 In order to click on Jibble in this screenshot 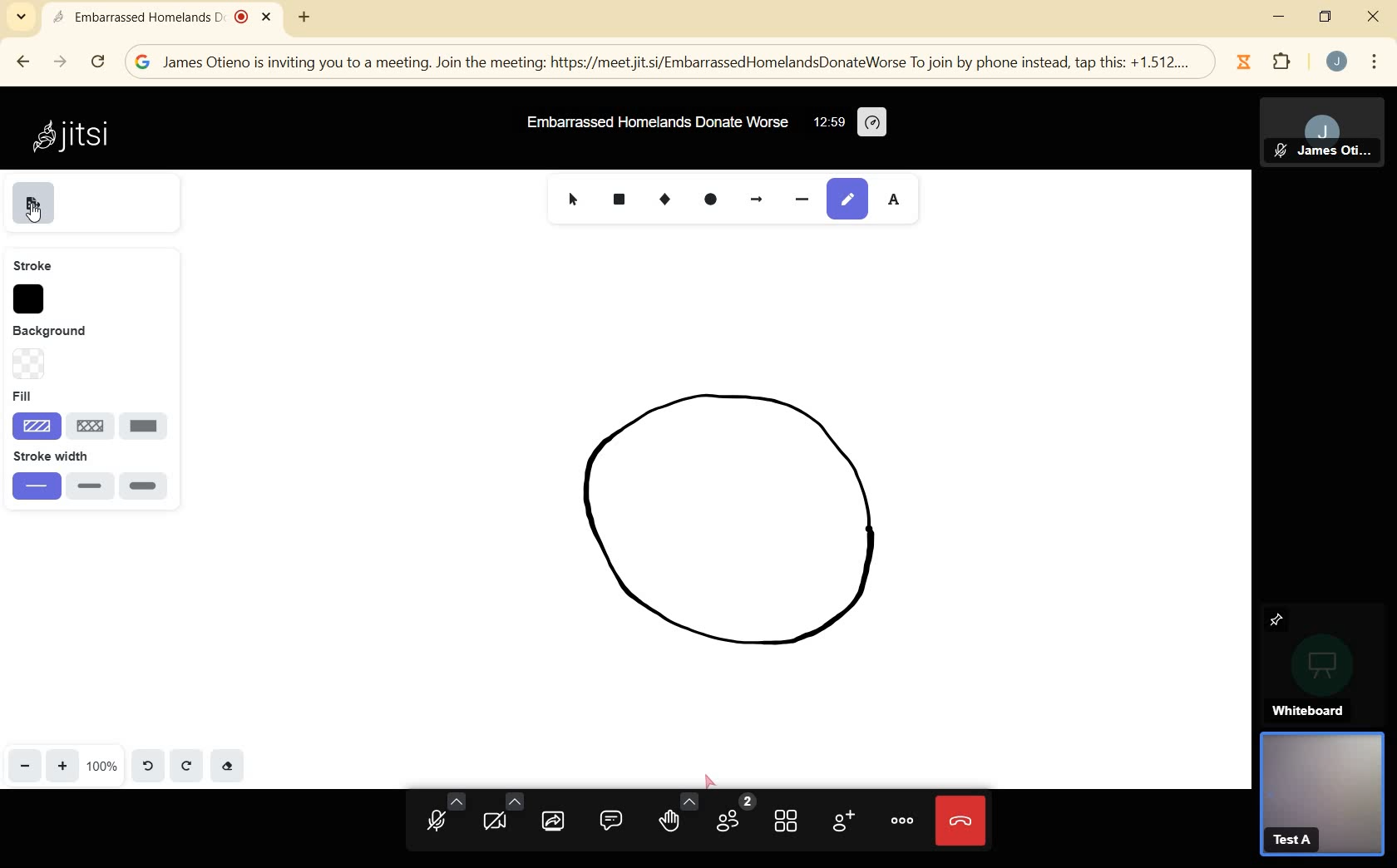, I will do `click(1244, 62)`.